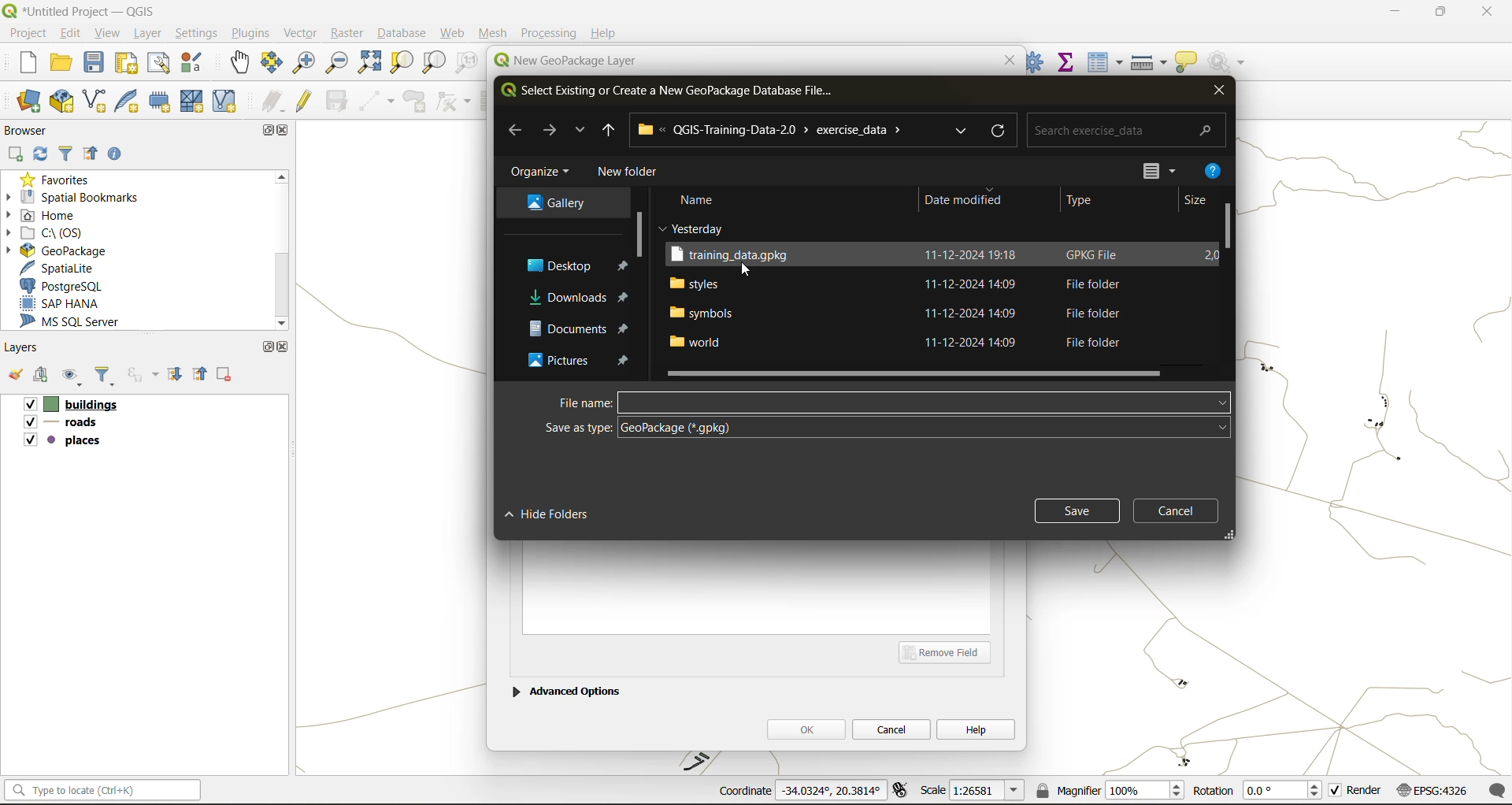  What do you see at coordinates (799, 792) in the screenshot?
I see `coordinates` at bounding box center [799, 792].